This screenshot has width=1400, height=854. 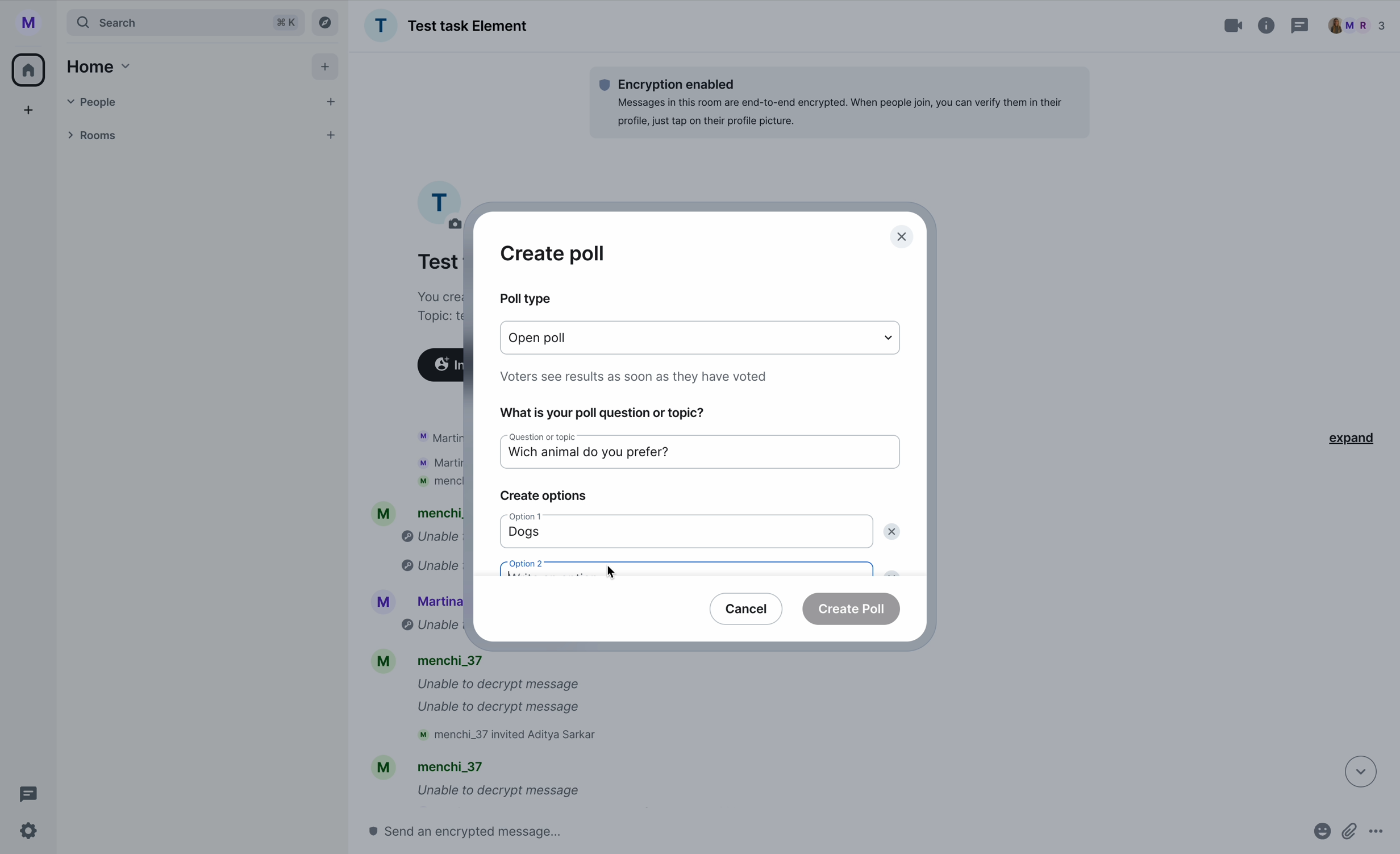 I want to click on threads, so click(x=25, y=794).